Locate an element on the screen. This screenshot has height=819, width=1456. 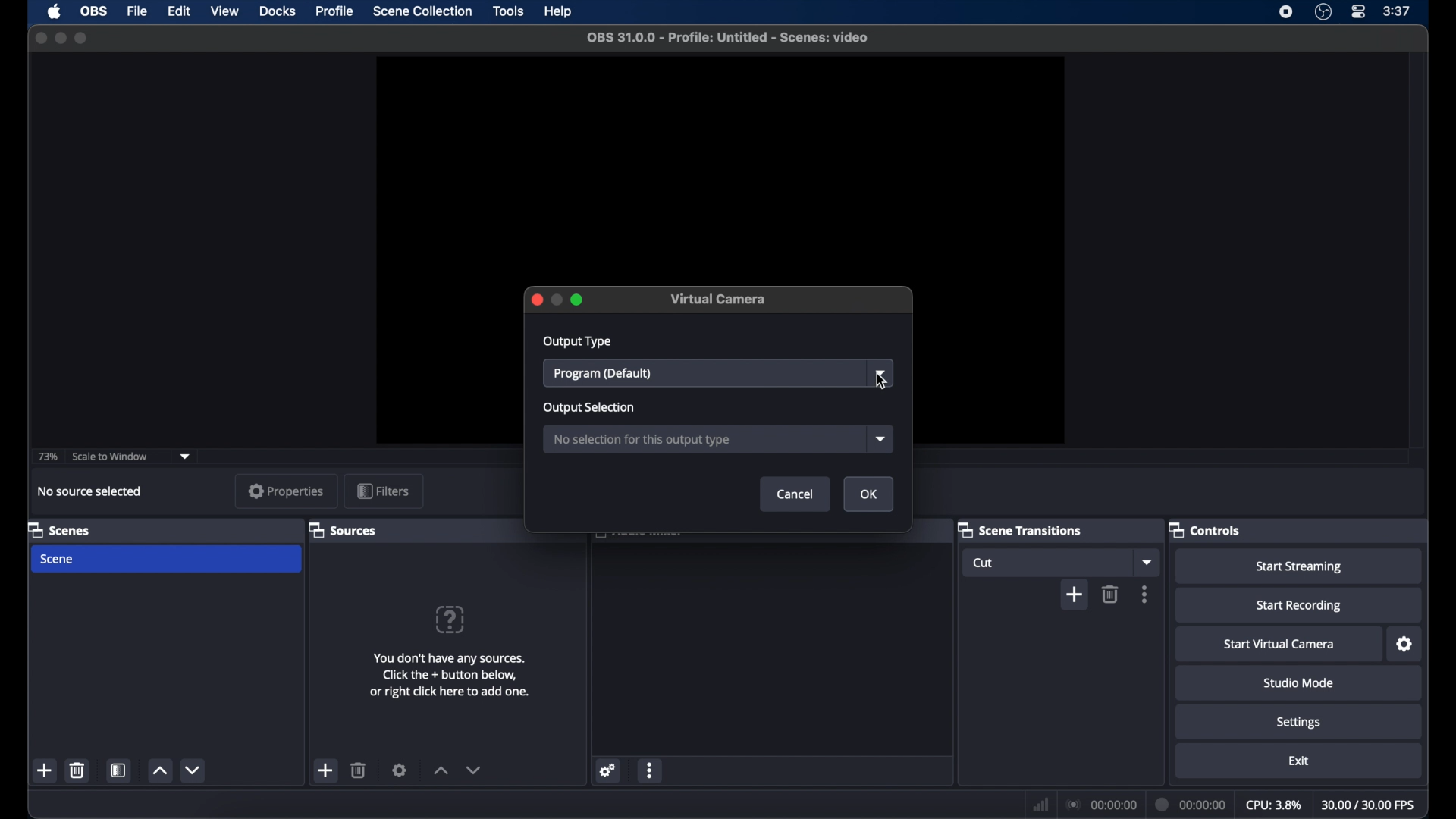
scene transitions is located at coordinates (1021, 529).